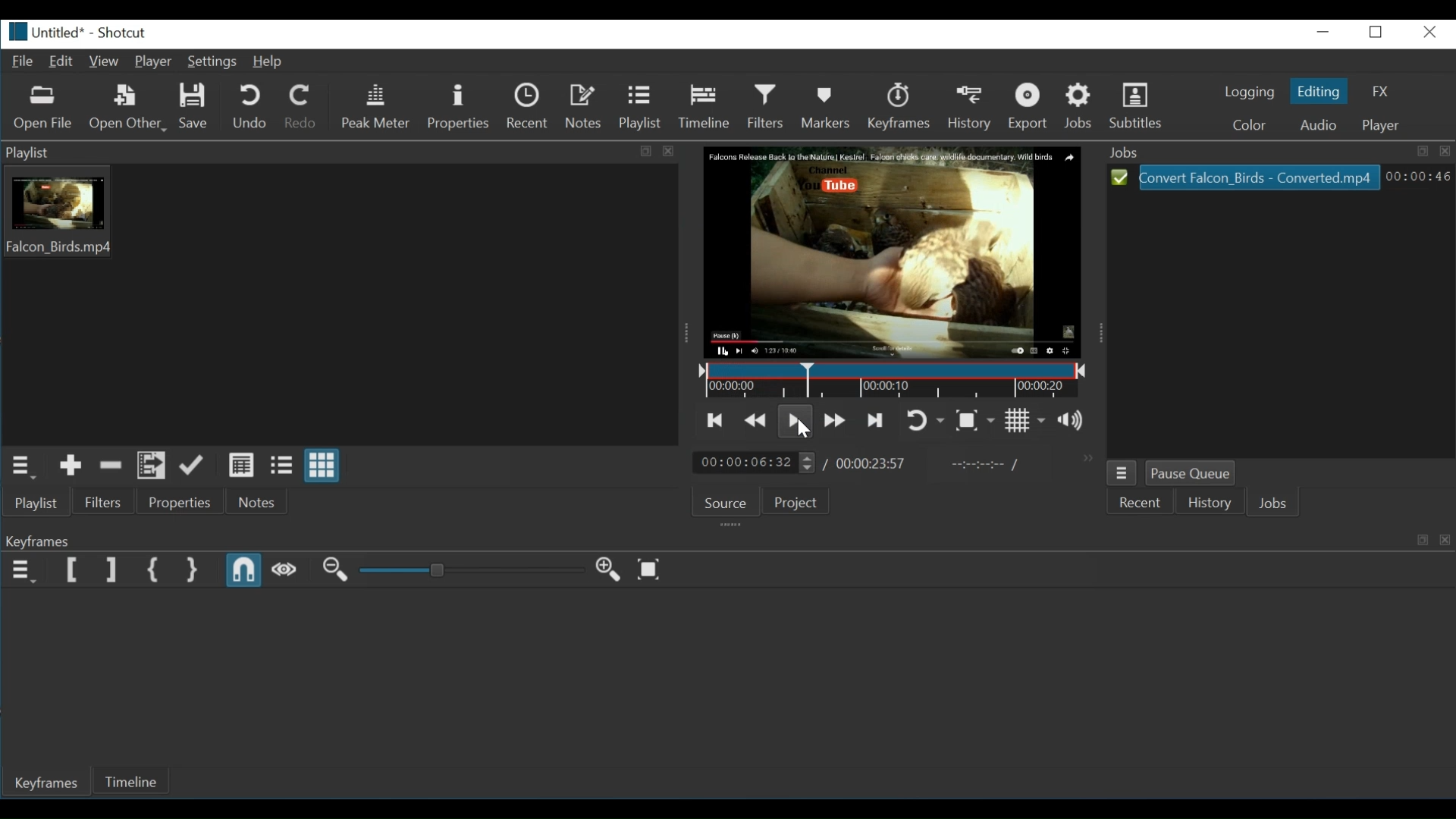 The image size is (1456, 819). I want to click on Settings, so click(213, 63).